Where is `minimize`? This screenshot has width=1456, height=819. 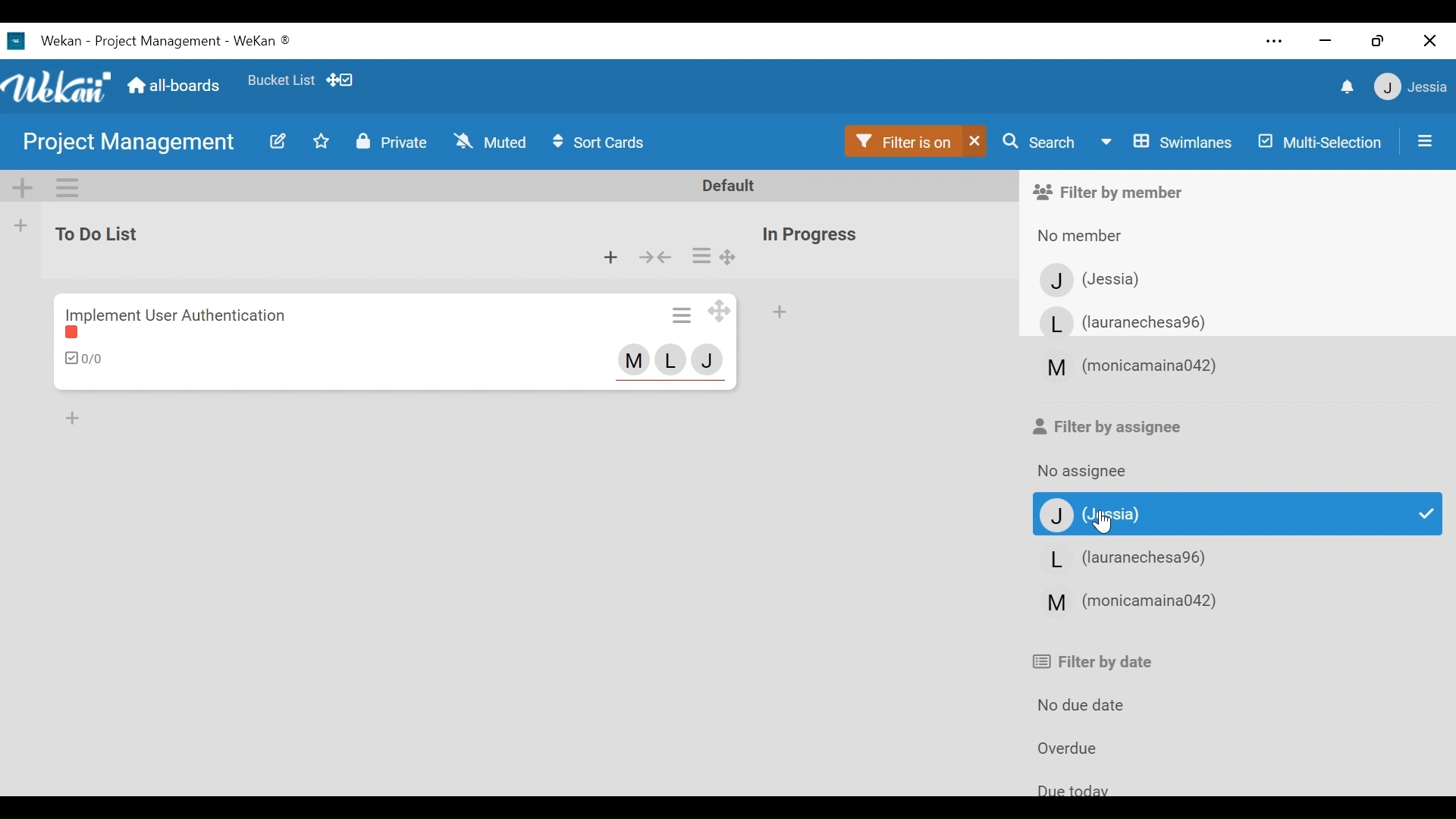
minimize is located at coordinates (1326, 41).